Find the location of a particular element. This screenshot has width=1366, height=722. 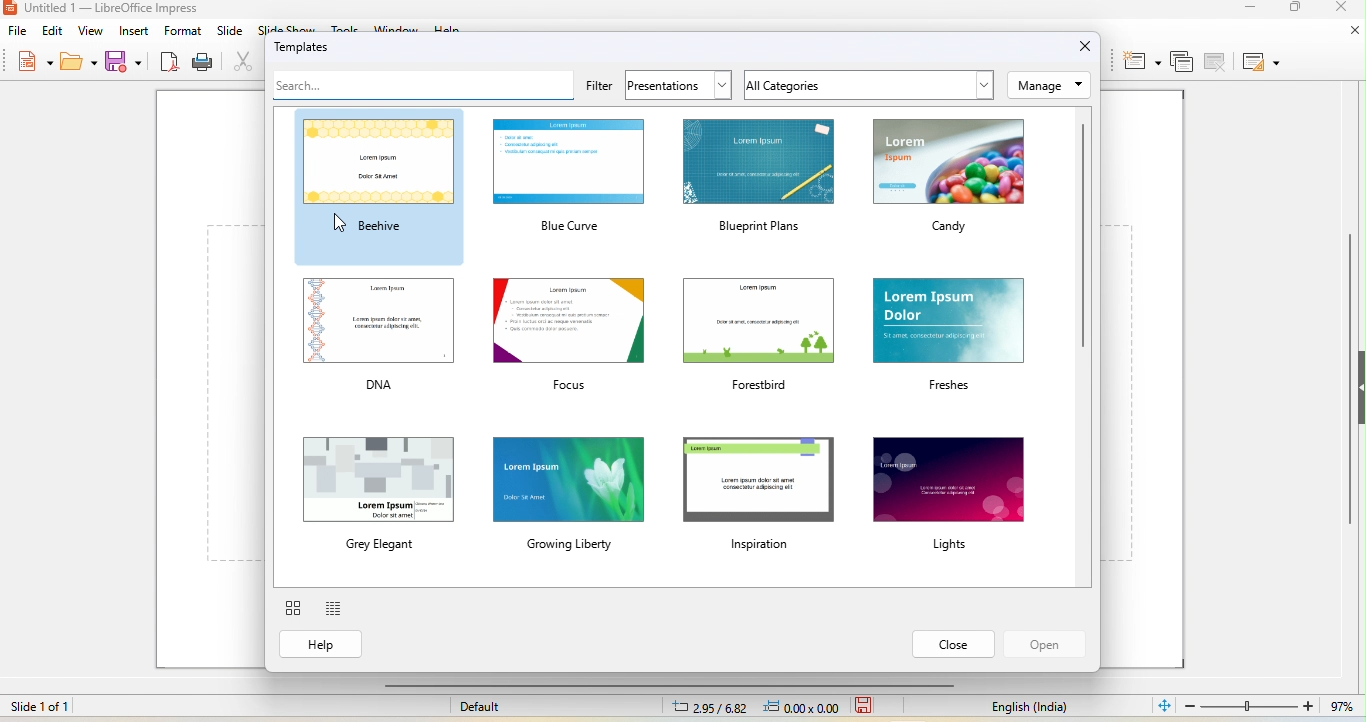

horizontal scroll bar is located at coordinates (667, 686).